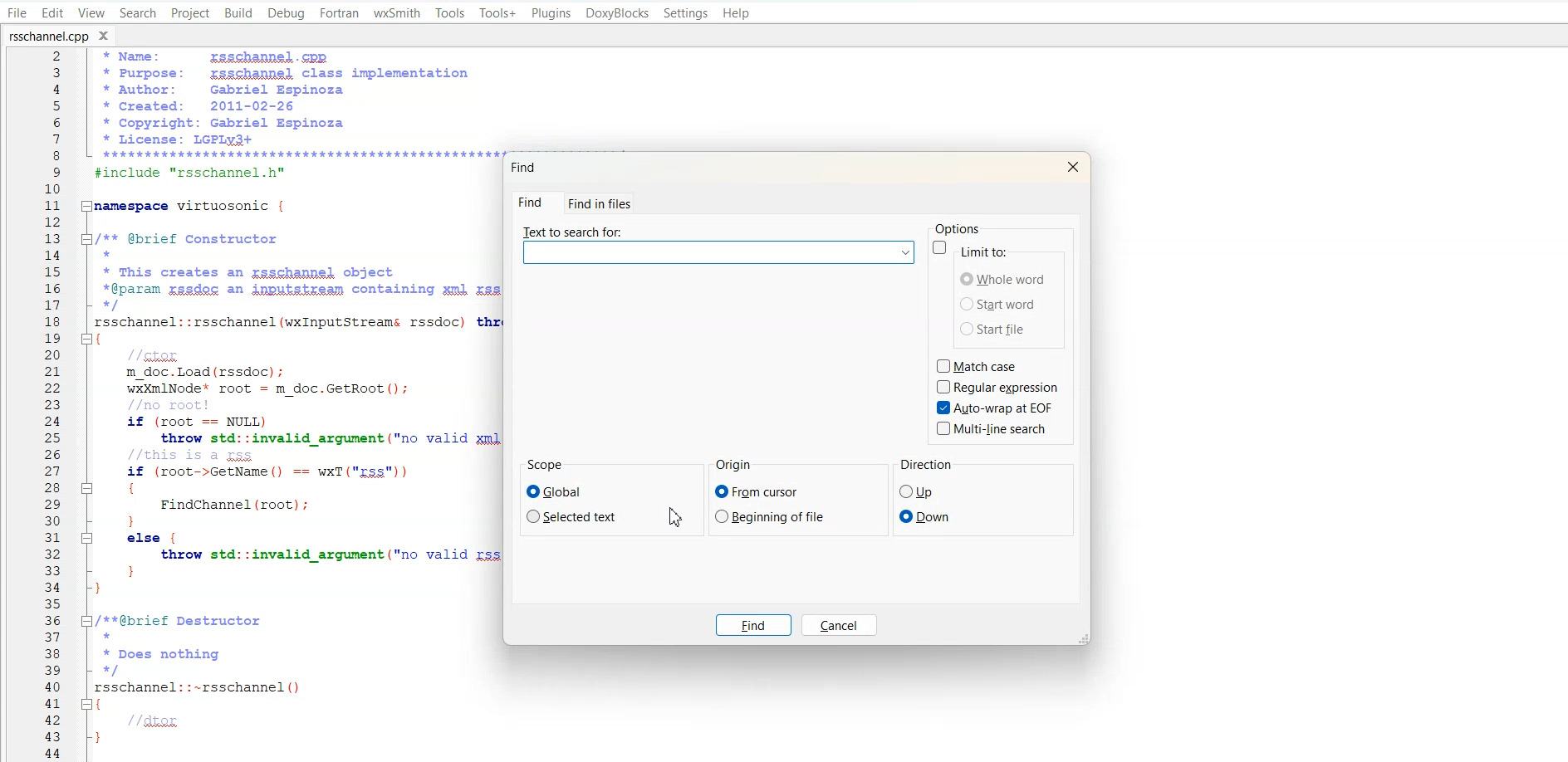 This screenshot has width=1568, height=762. I want to click on Settings, so click(687, 12).